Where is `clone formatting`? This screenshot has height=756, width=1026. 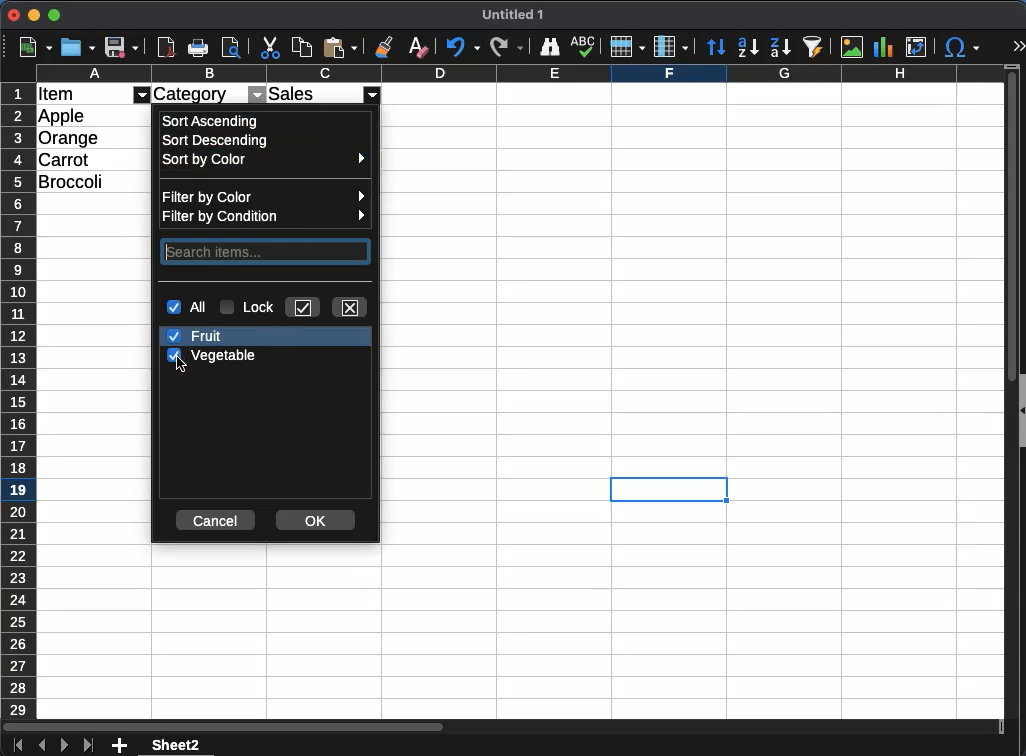
clone formatting is located at coordinates (383, 47).